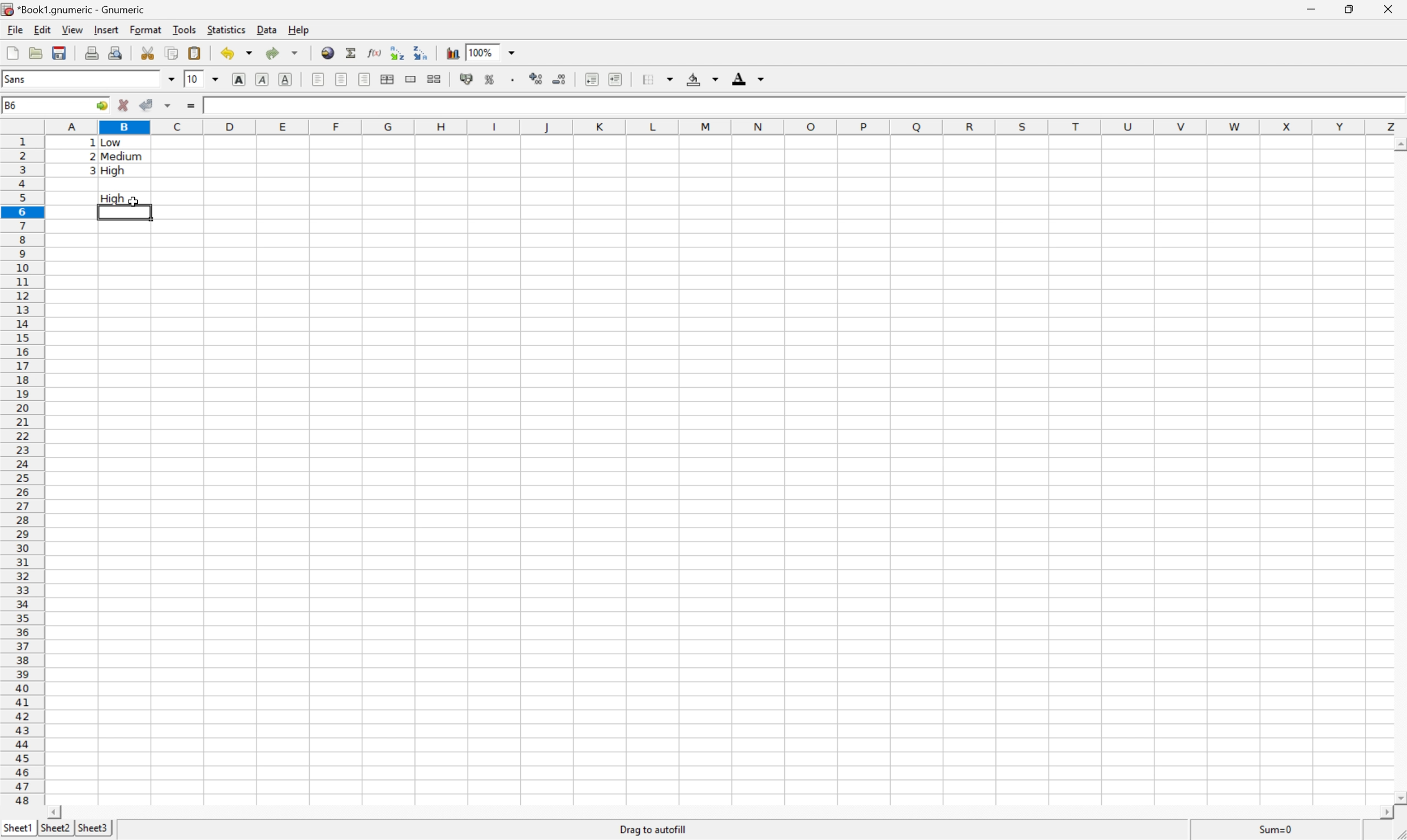  What do you see at coordinates (194, 53) in the screenshot?
I see `Paste clipboard` at bounding box center [194, 53].